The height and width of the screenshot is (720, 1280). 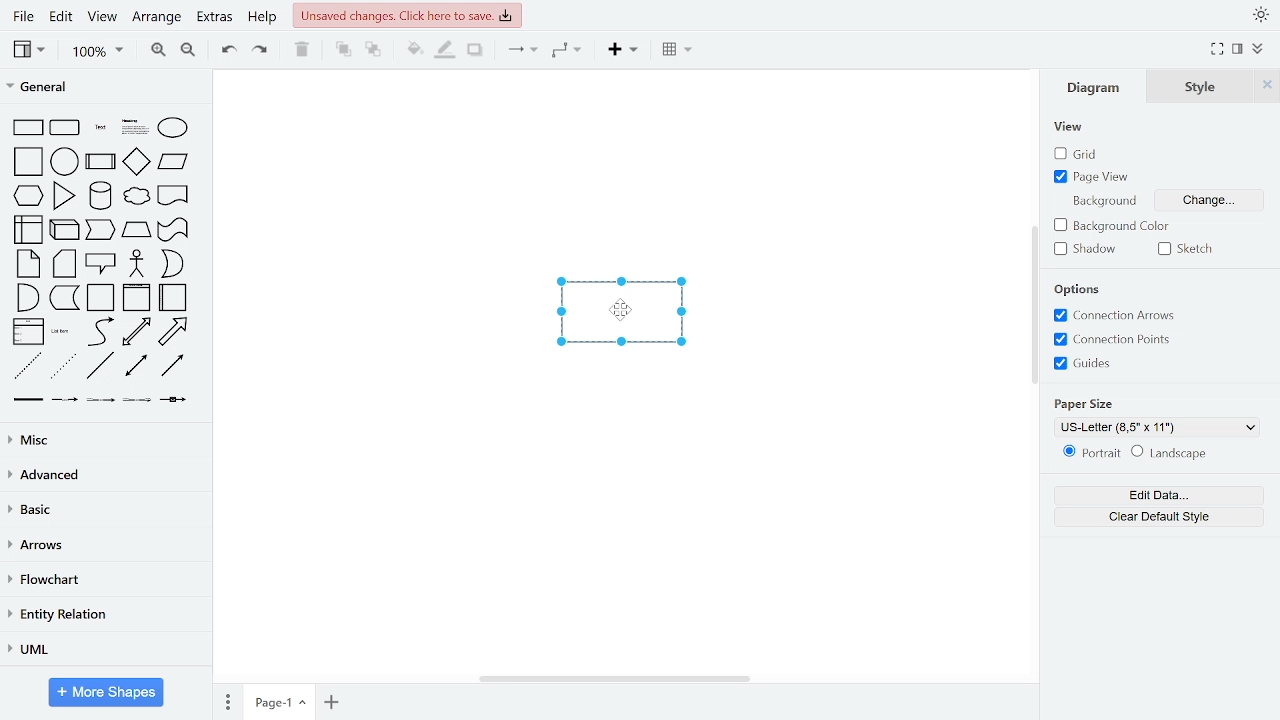 I want to click on collapse, so click(x=1258, y=50).